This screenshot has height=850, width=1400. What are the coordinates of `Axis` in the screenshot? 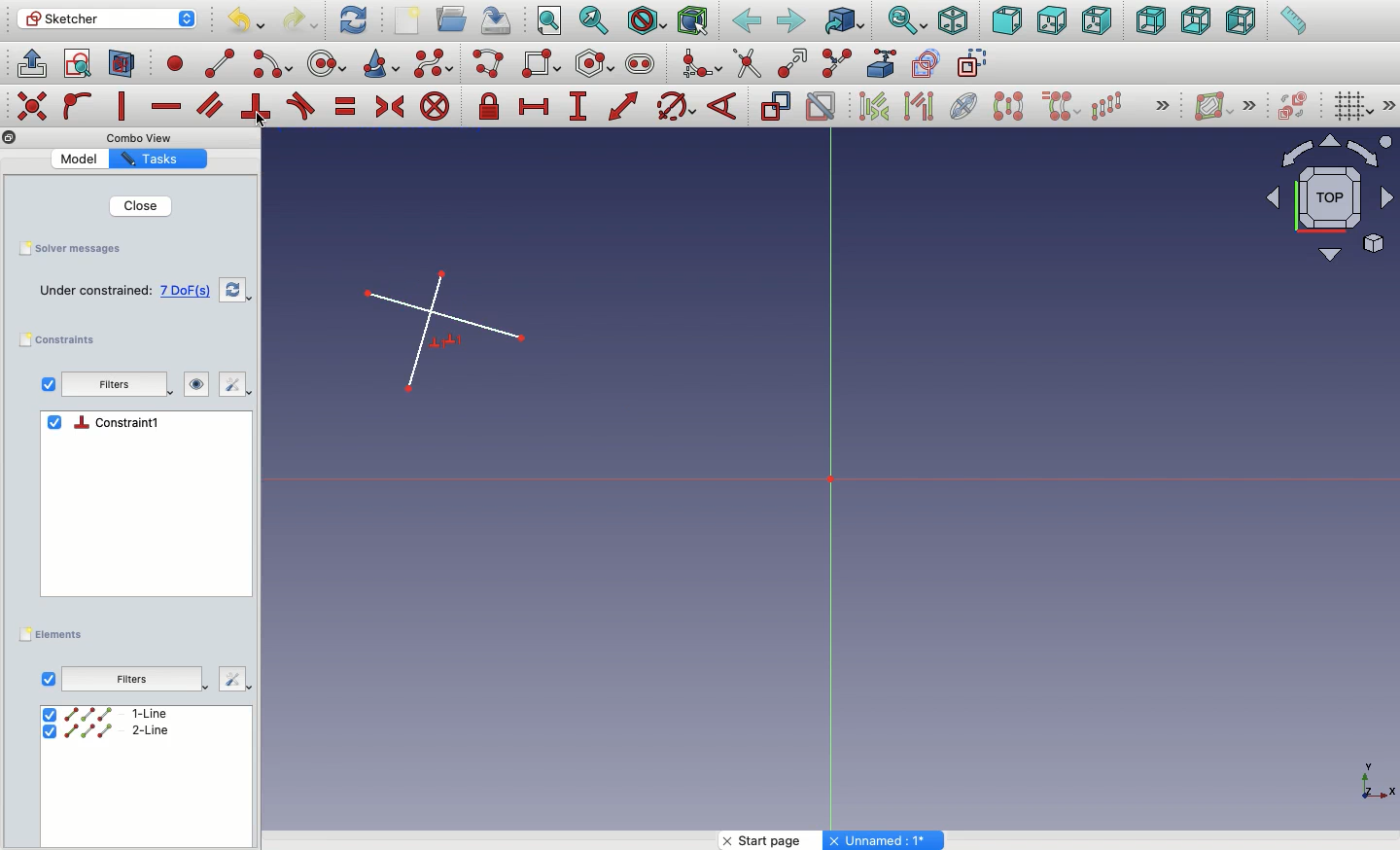 It's located at (831, 485).